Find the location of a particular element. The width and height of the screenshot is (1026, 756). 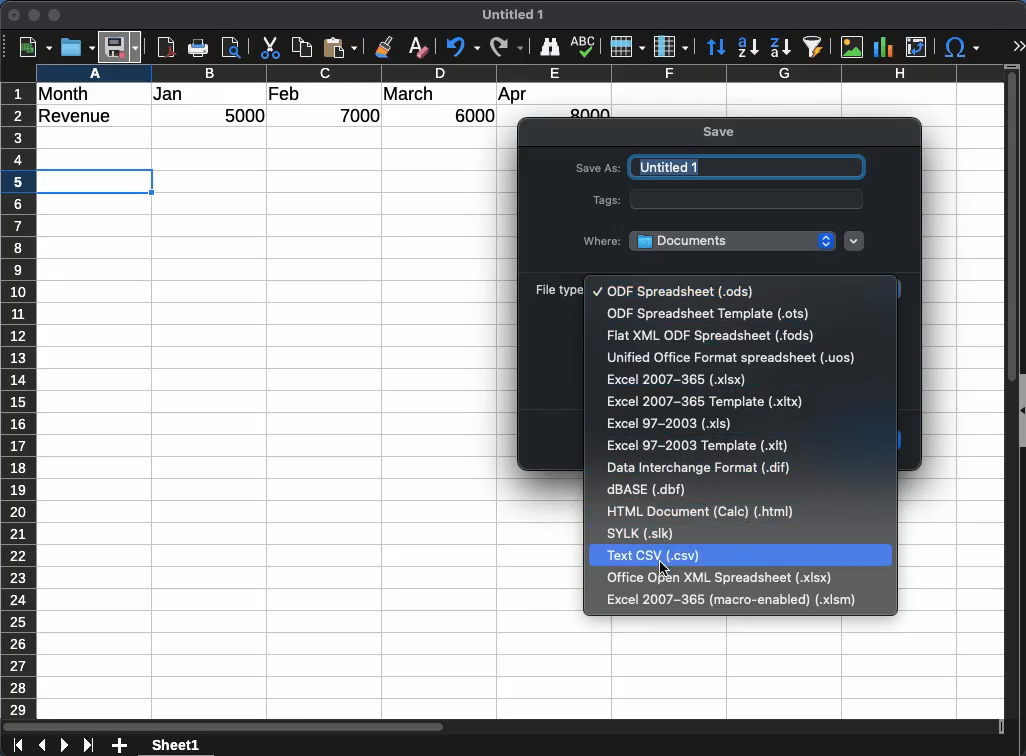

Excel 2007-362 is located at coordinates (672, 380).